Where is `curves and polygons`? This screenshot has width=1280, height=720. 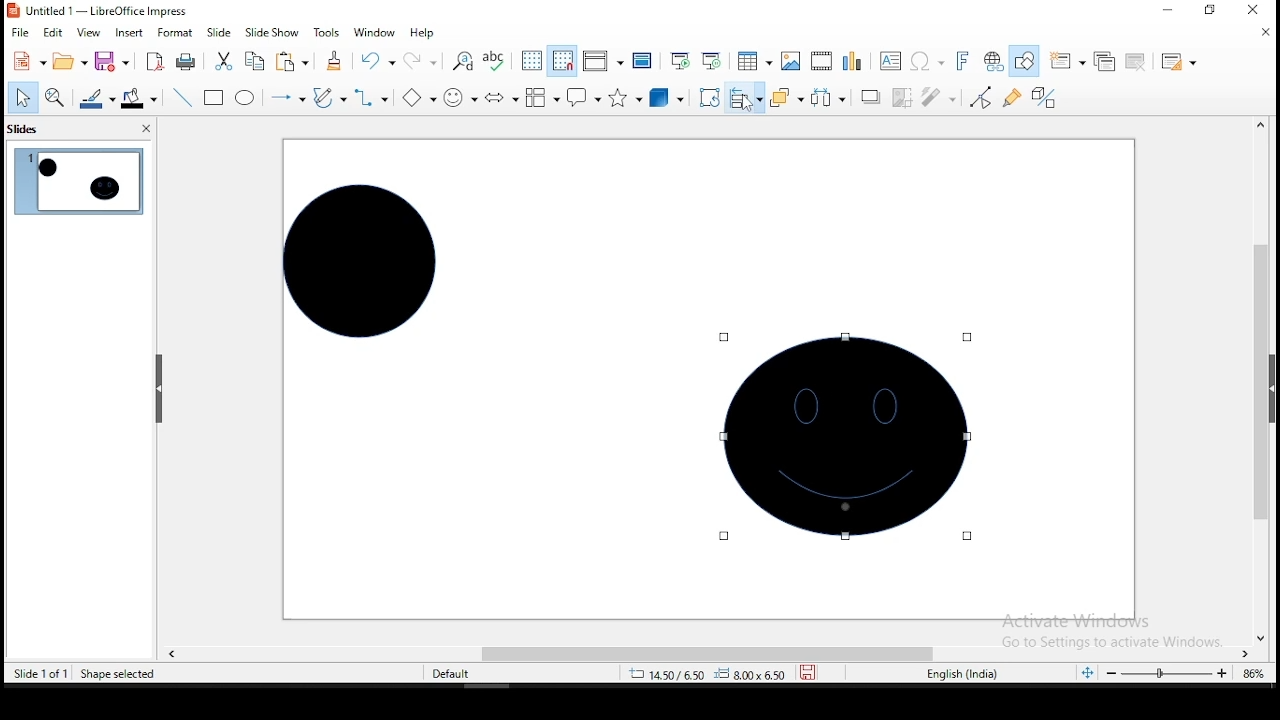 curves and polygons is located at coordinates (330, 96).